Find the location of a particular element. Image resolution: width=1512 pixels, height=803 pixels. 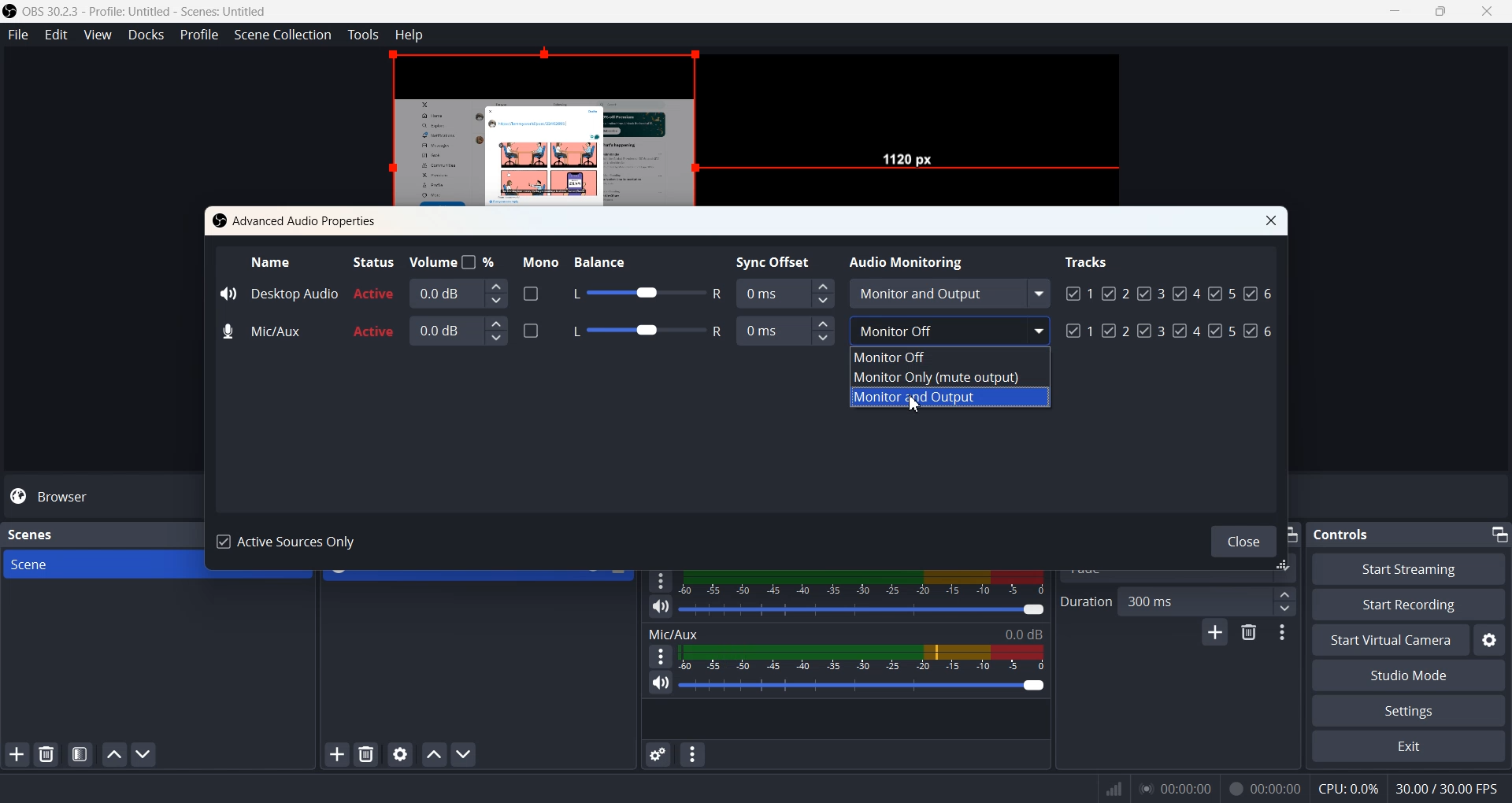

Volume is located at coordinates (454, 261).